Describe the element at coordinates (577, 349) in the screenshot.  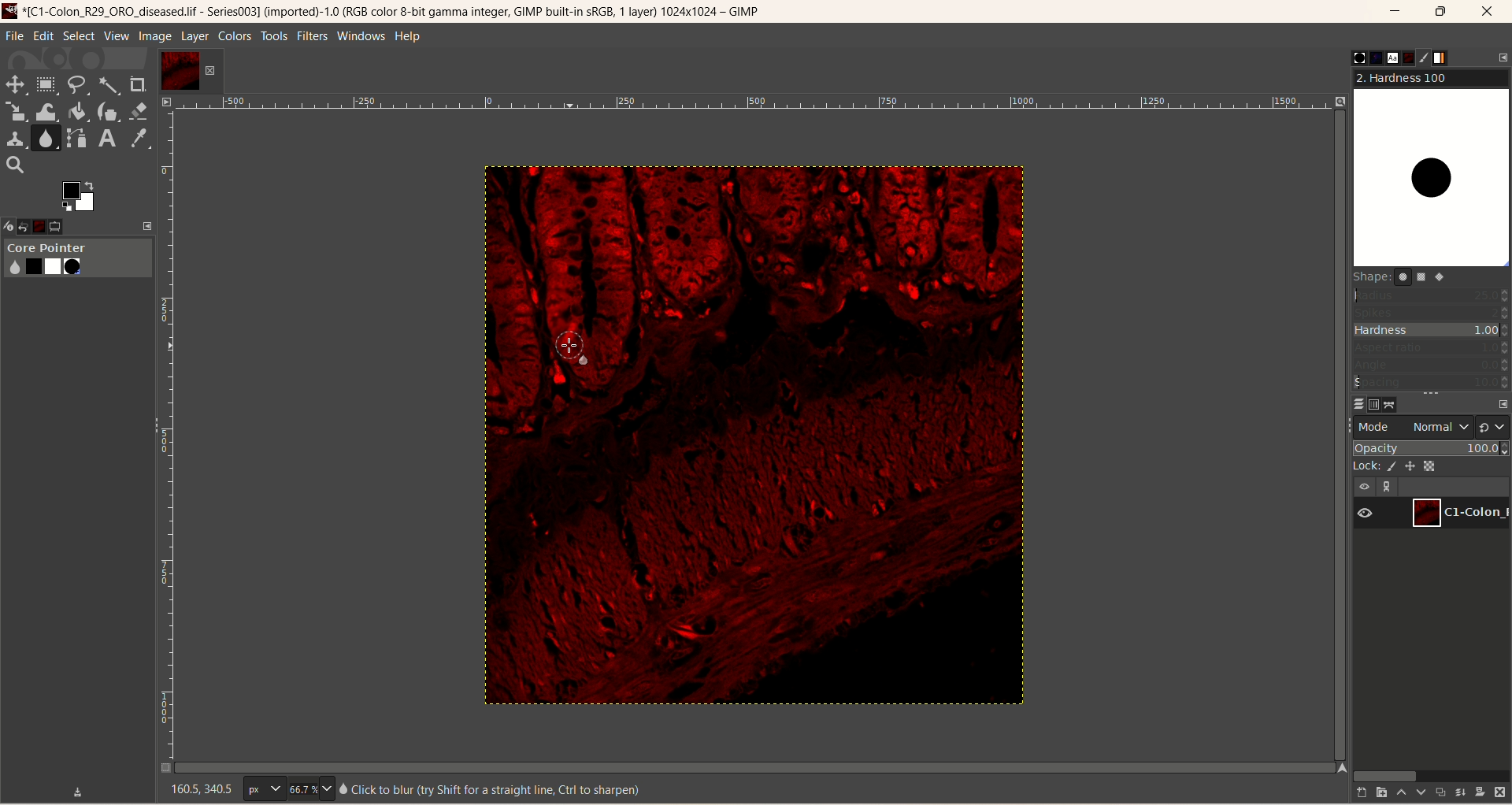
I see `cursor` at that location.